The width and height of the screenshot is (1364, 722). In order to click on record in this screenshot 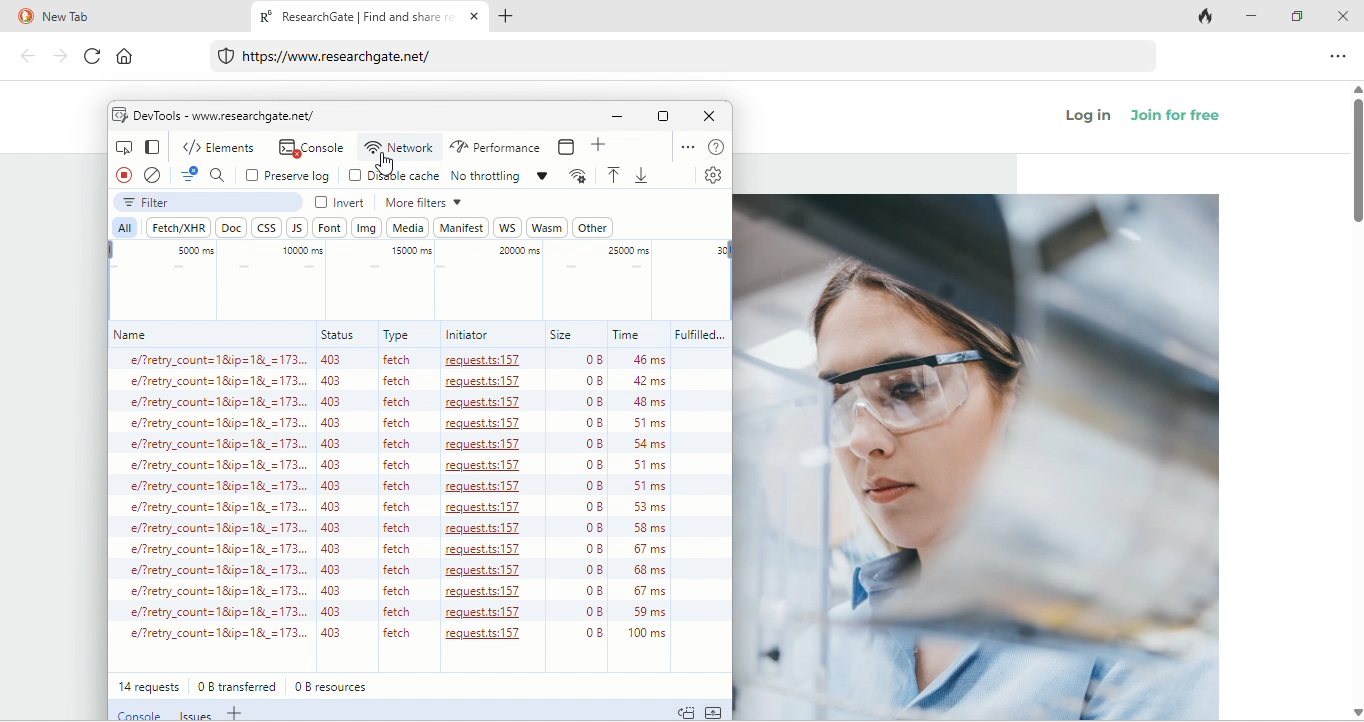, I will do `click(120, 177)`.